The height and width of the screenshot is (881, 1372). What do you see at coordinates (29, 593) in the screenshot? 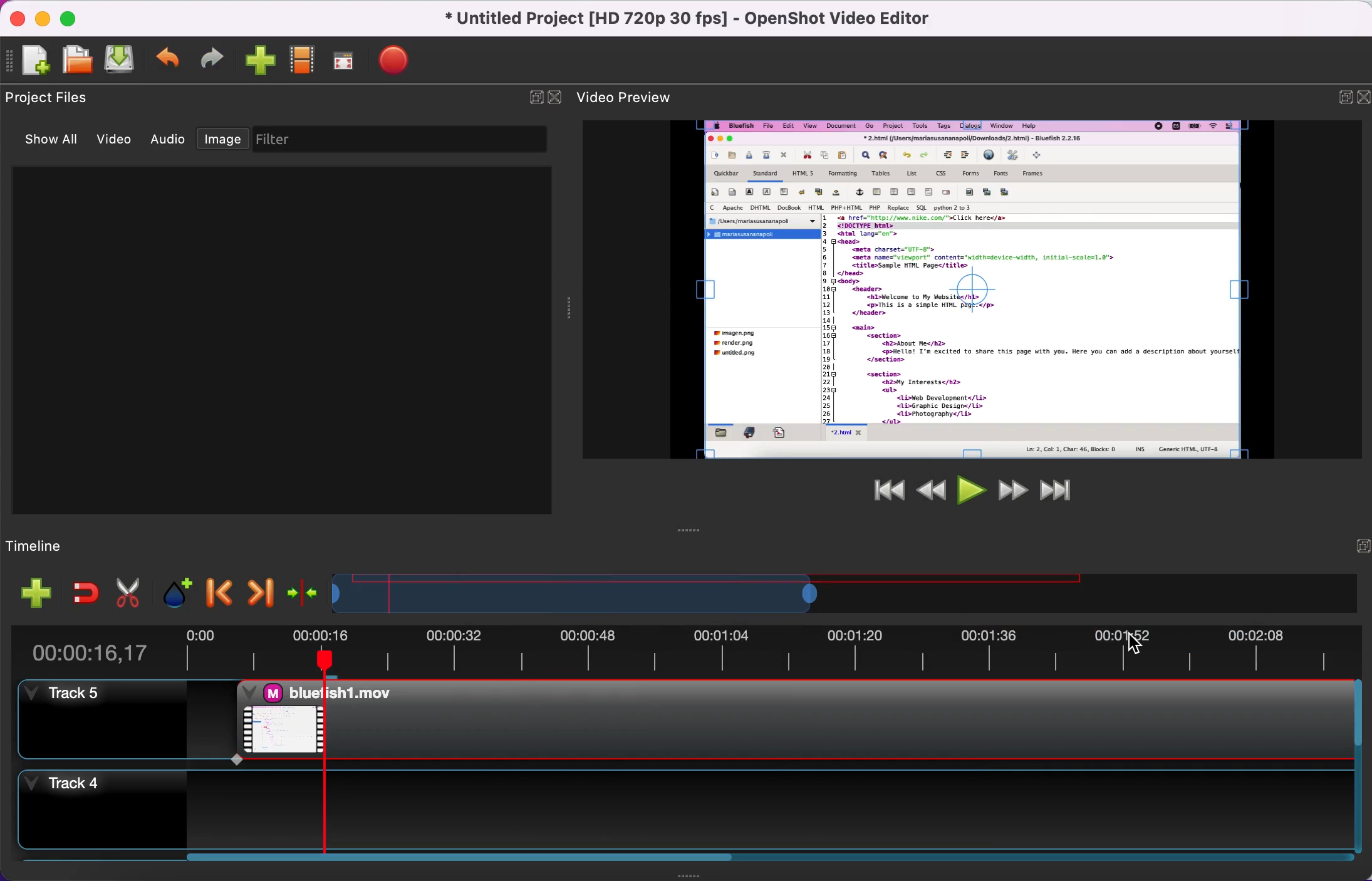
I see `add file` at bounding box center [29, 593].